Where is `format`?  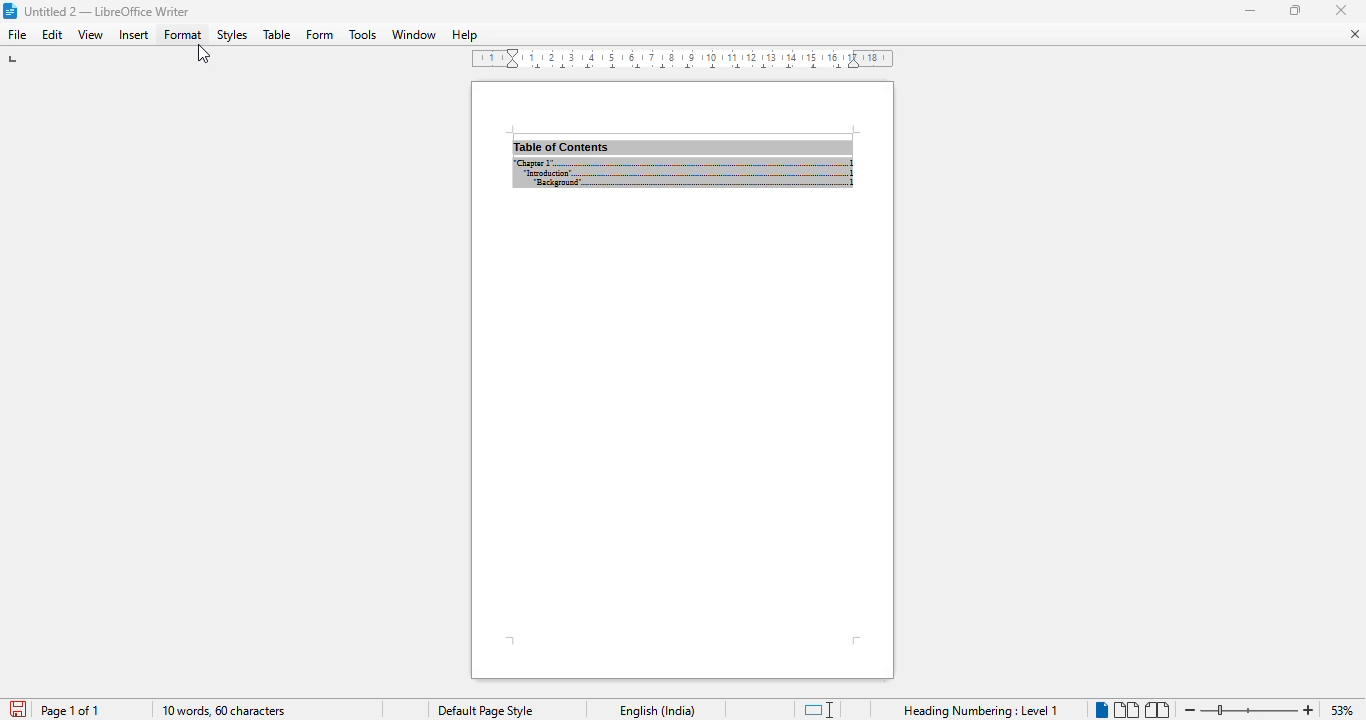 format is located at coordinates (184, 35).